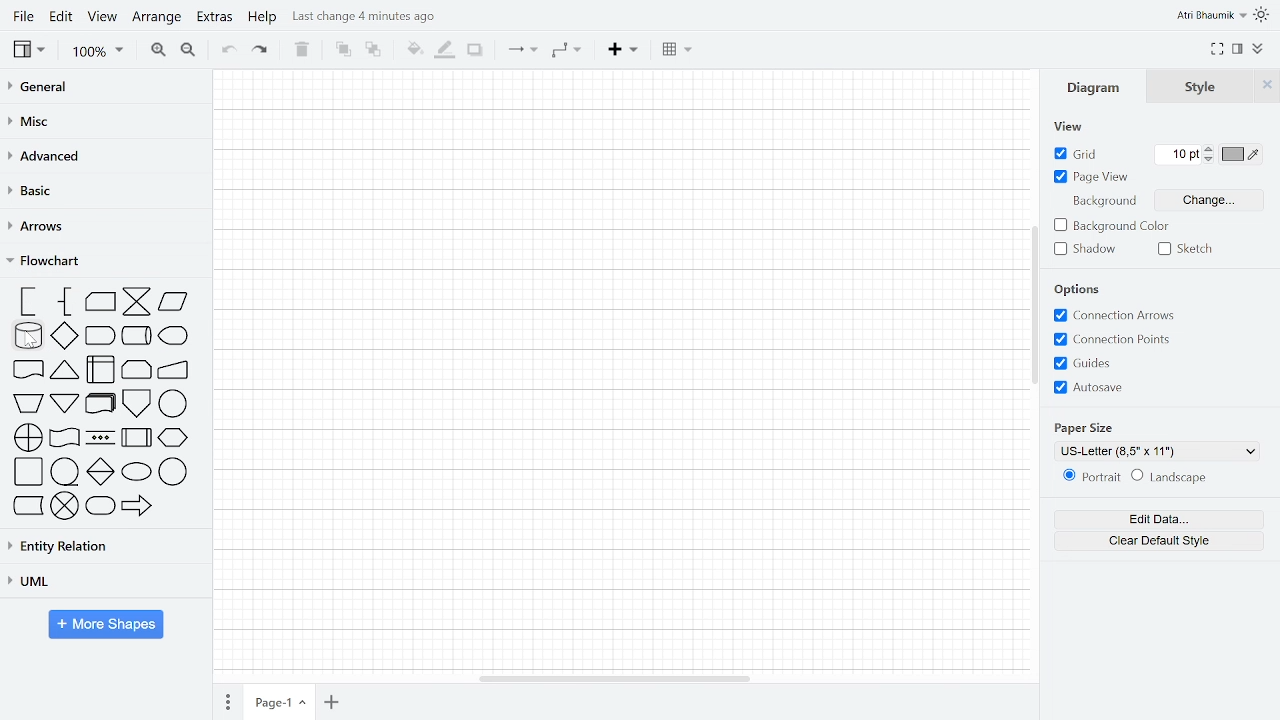 The width and height of the screenshot is (1280, 720). Describe the element at coordinates (1035, 327) in the screenshot. I see `vertical scrollbar` at that location.